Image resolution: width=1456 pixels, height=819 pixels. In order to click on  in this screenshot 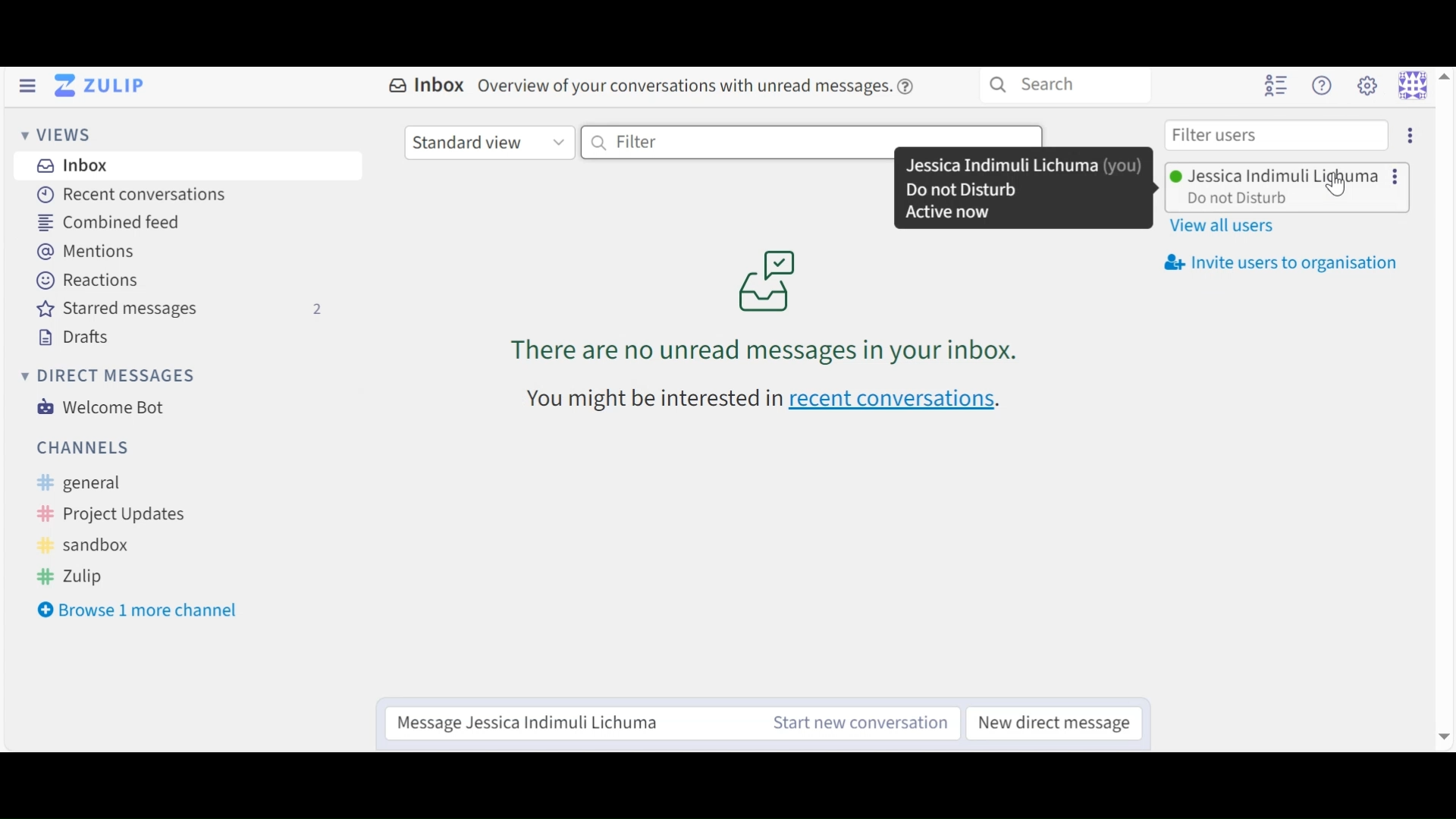, I will do `click(1058, 723)`.